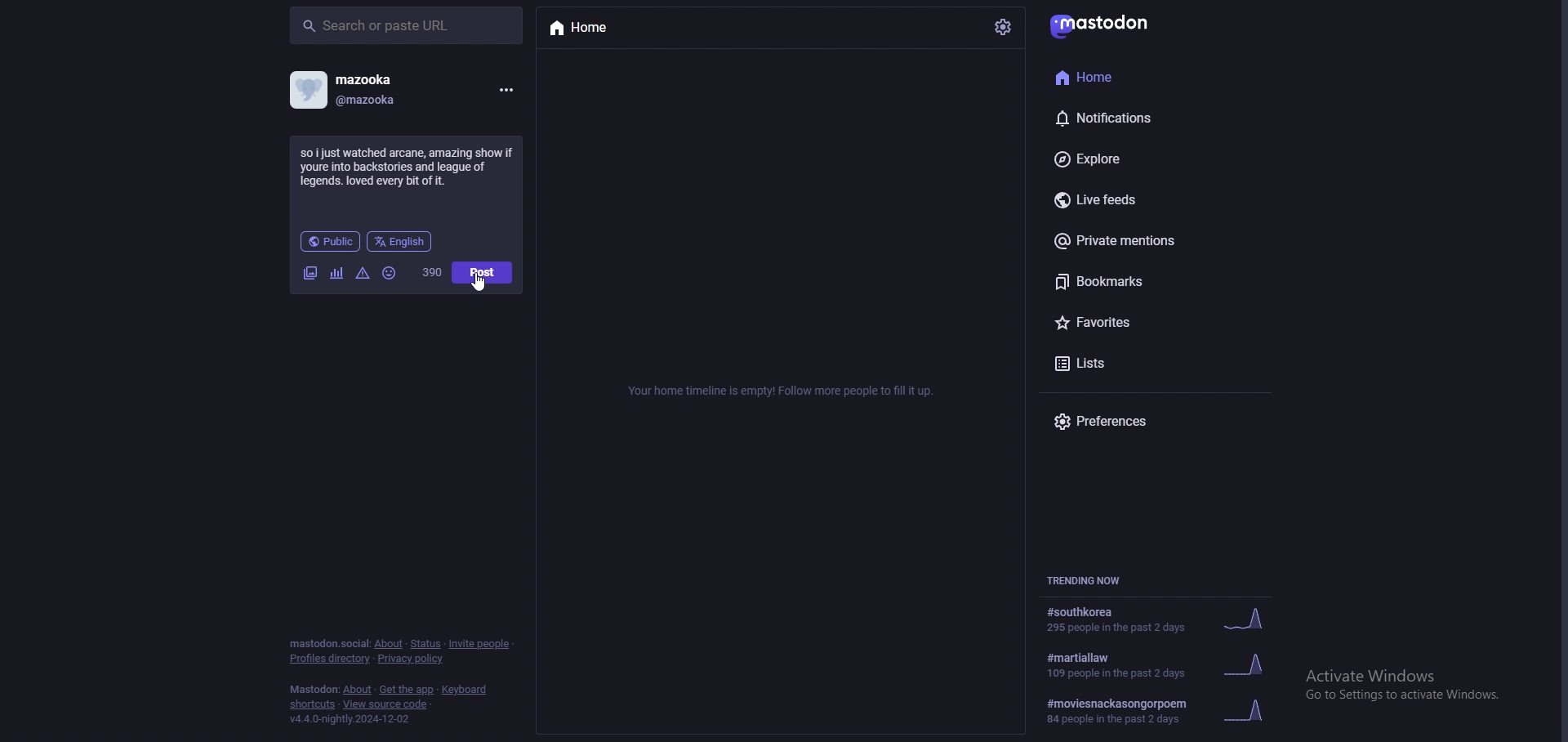 This screenshot has height=742, width=1568. Describe the element at coordinates (1116, 77) in the screenshot. I see `home` at that location.